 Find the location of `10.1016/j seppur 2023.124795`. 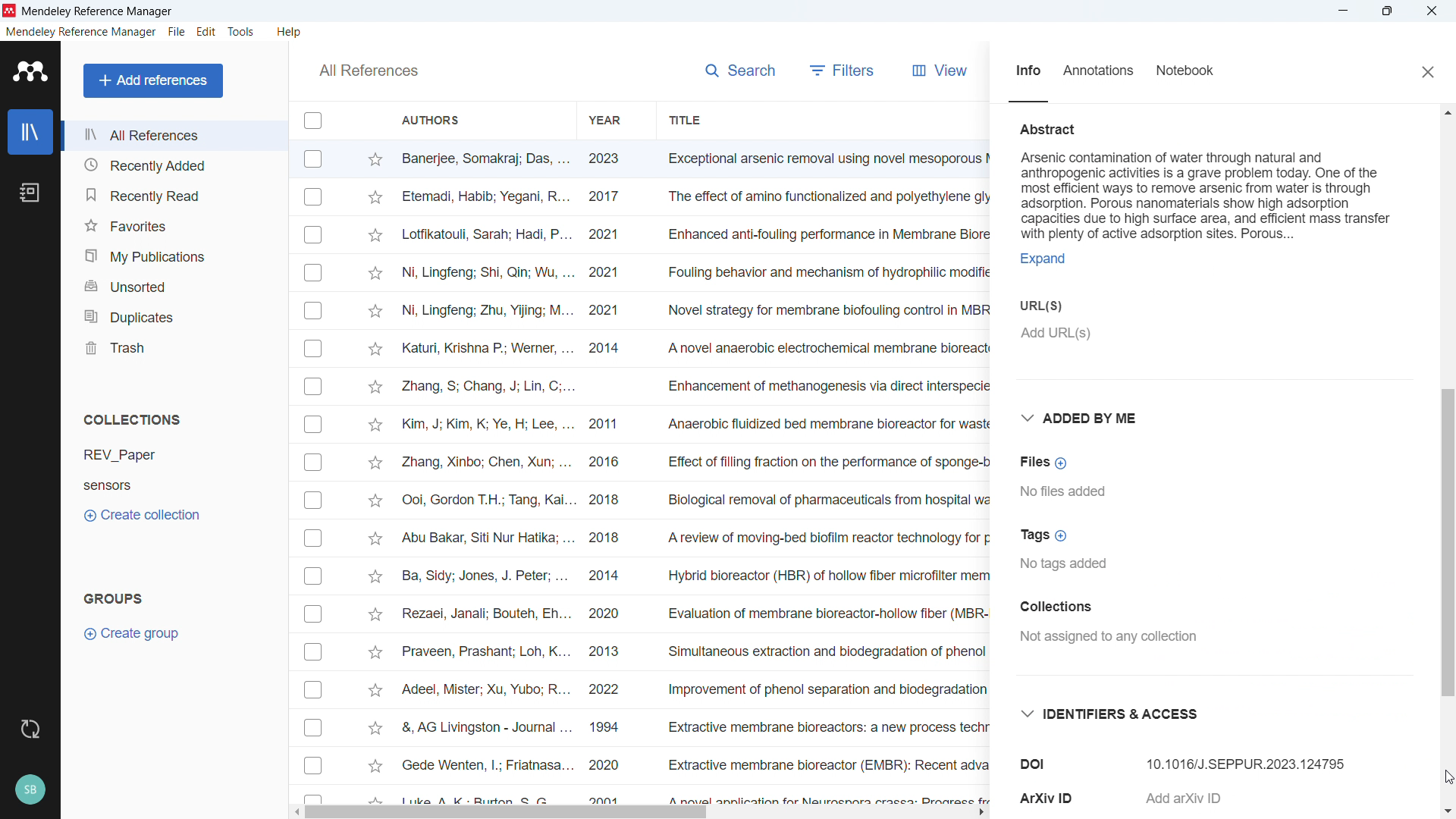

10.1016/j seppur 2023.124795 is located at coordinates (1254, 758).